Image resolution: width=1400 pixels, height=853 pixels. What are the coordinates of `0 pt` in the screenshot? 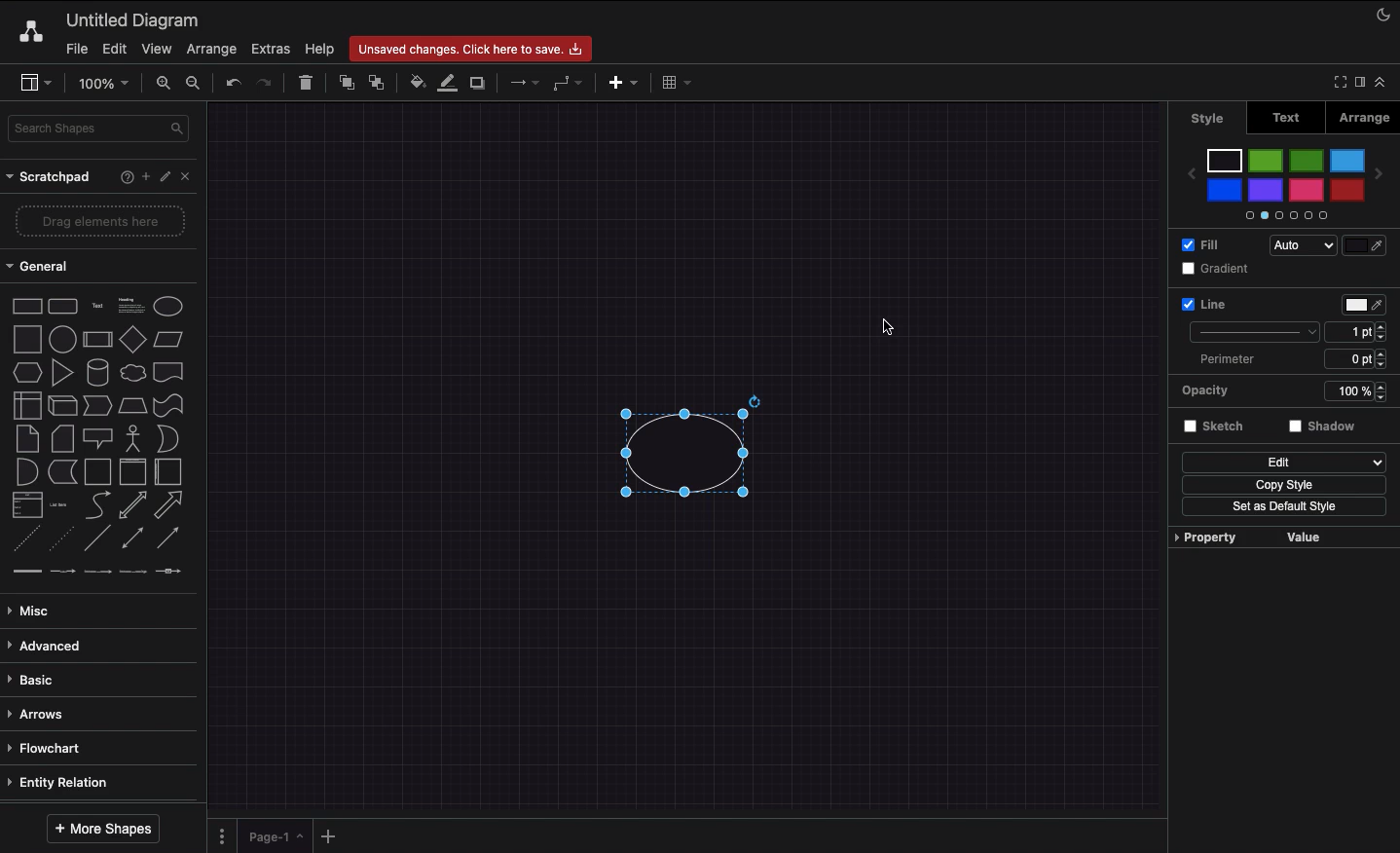 It's located at (1370, 357).